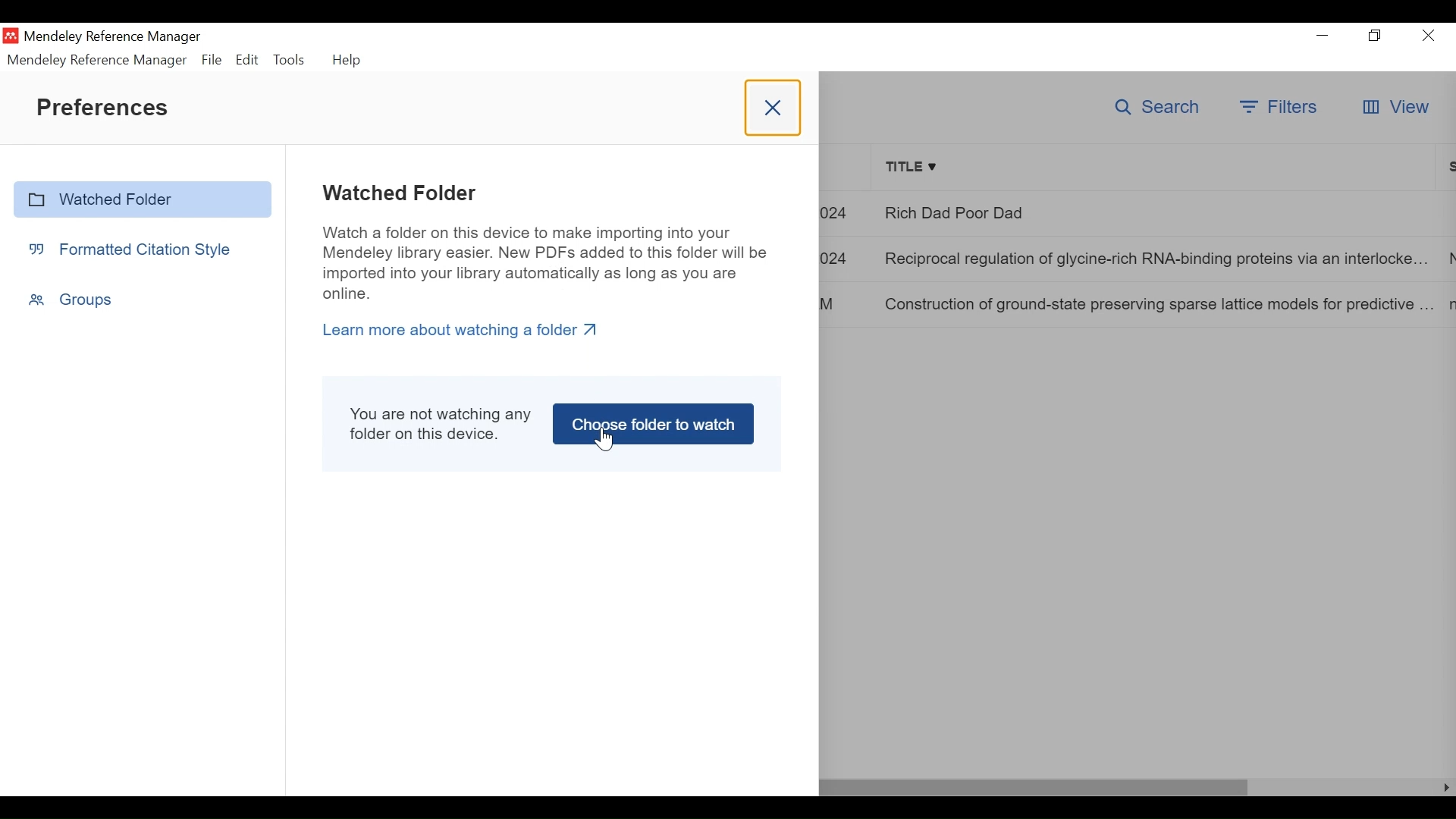 The image size is (1456, 819). I want to click on Close, so click(1428, 36).